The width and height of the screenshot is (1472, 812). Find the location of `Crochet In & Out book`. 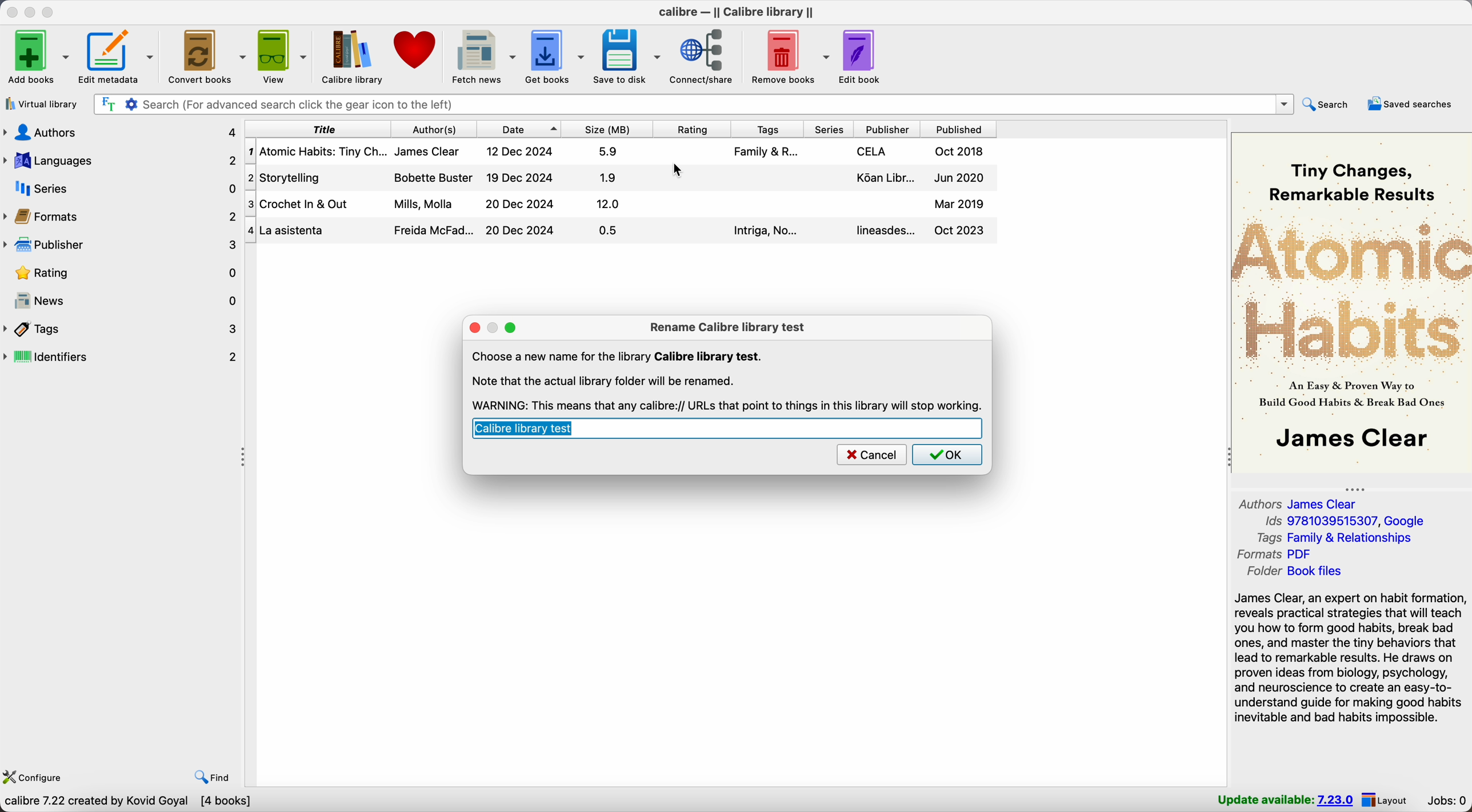

Crochet In & Out book is located at coordinates (623, 205).